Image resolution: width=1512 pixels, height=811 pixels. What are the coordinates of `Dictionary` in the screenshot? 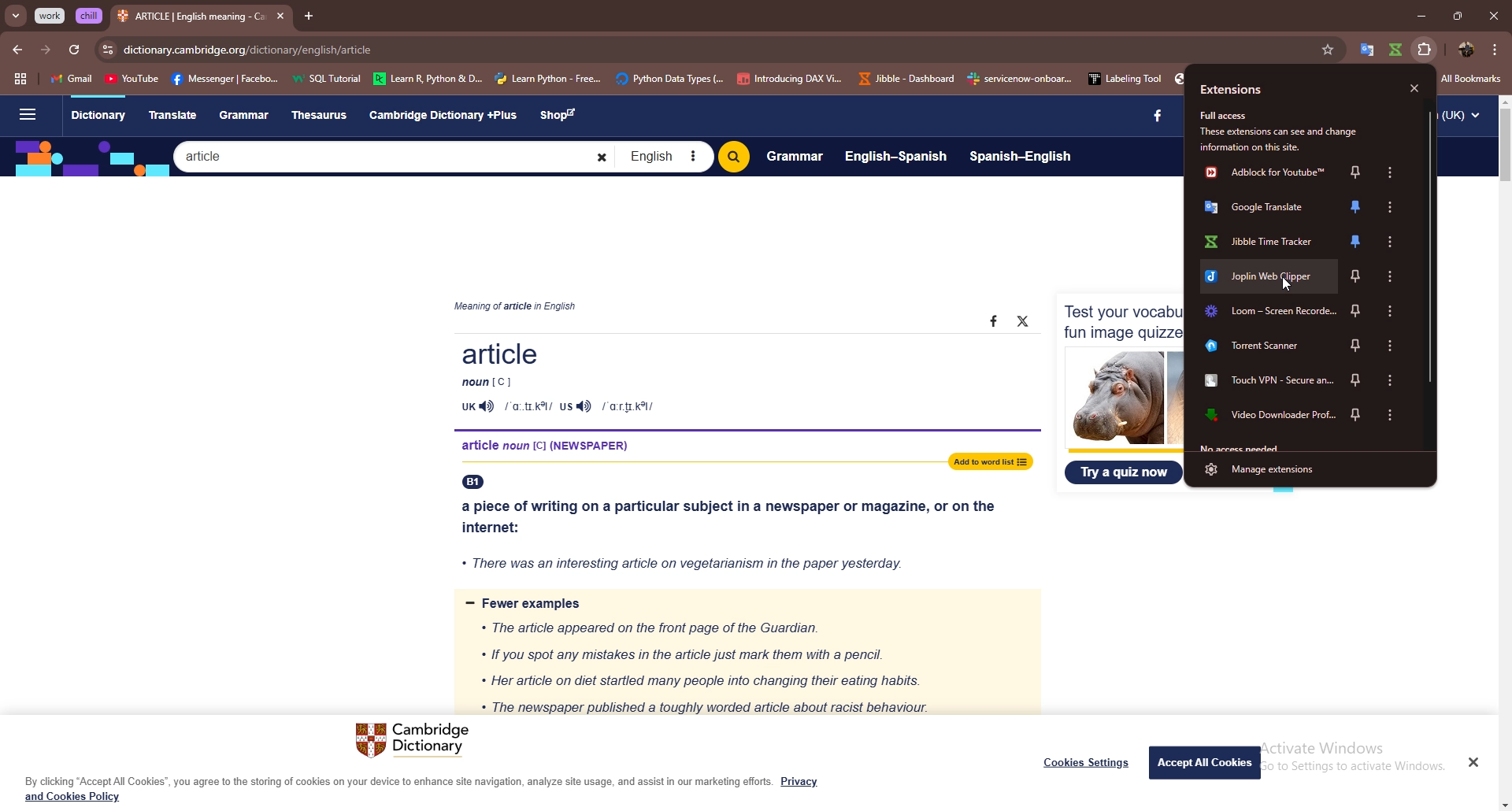 It's located at (98, 117).